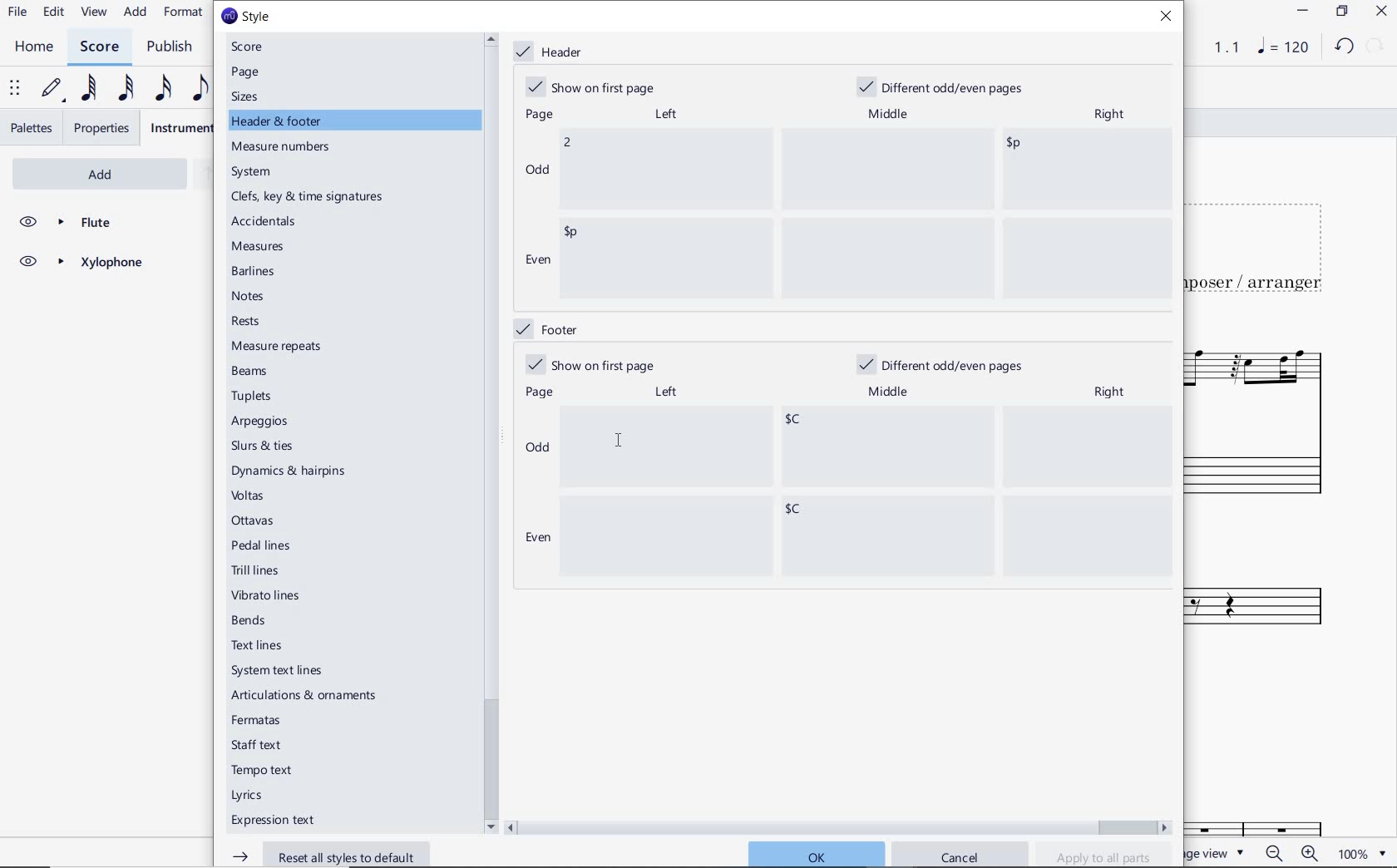 The width and height of the screenshot is (1397, 868). What do you see at coordinates (80, 264) in the screenshot?
I see `XYLOPHONE` at bounding box center [80, 264].